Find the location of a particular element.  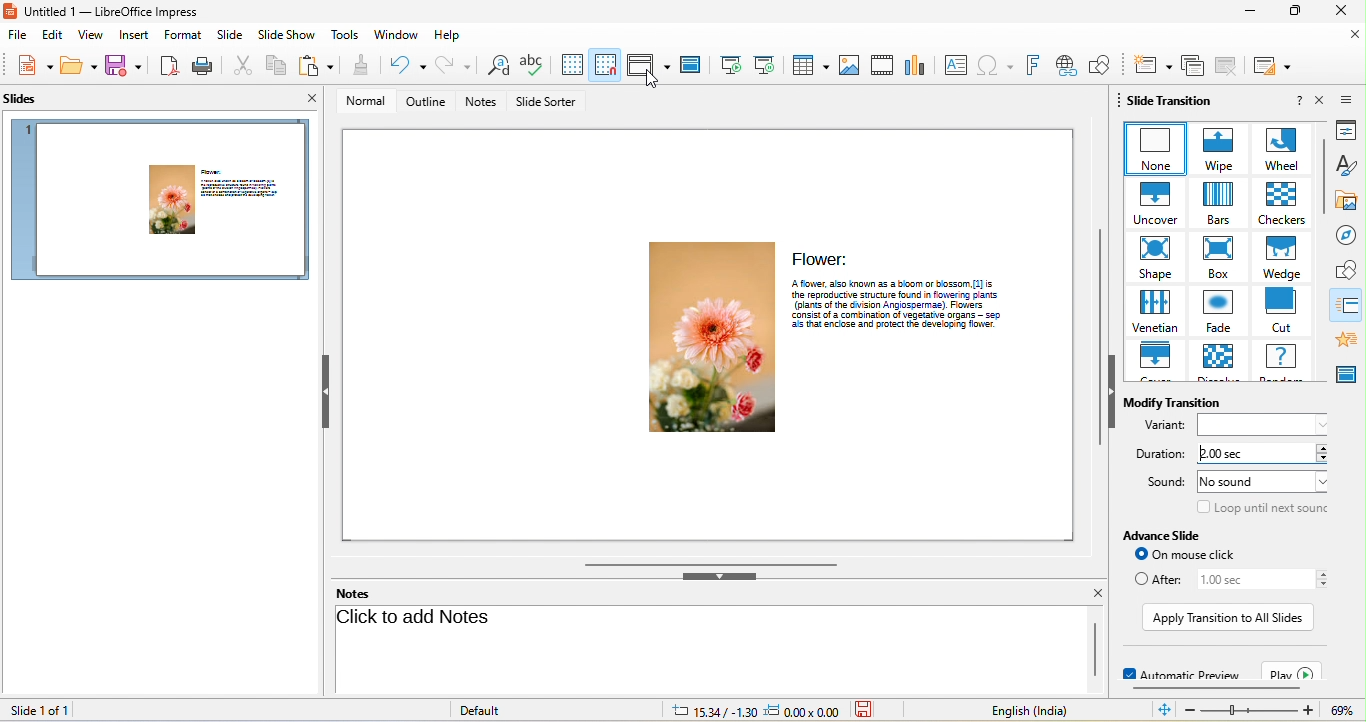

close is located at coordinates (1320, 100).